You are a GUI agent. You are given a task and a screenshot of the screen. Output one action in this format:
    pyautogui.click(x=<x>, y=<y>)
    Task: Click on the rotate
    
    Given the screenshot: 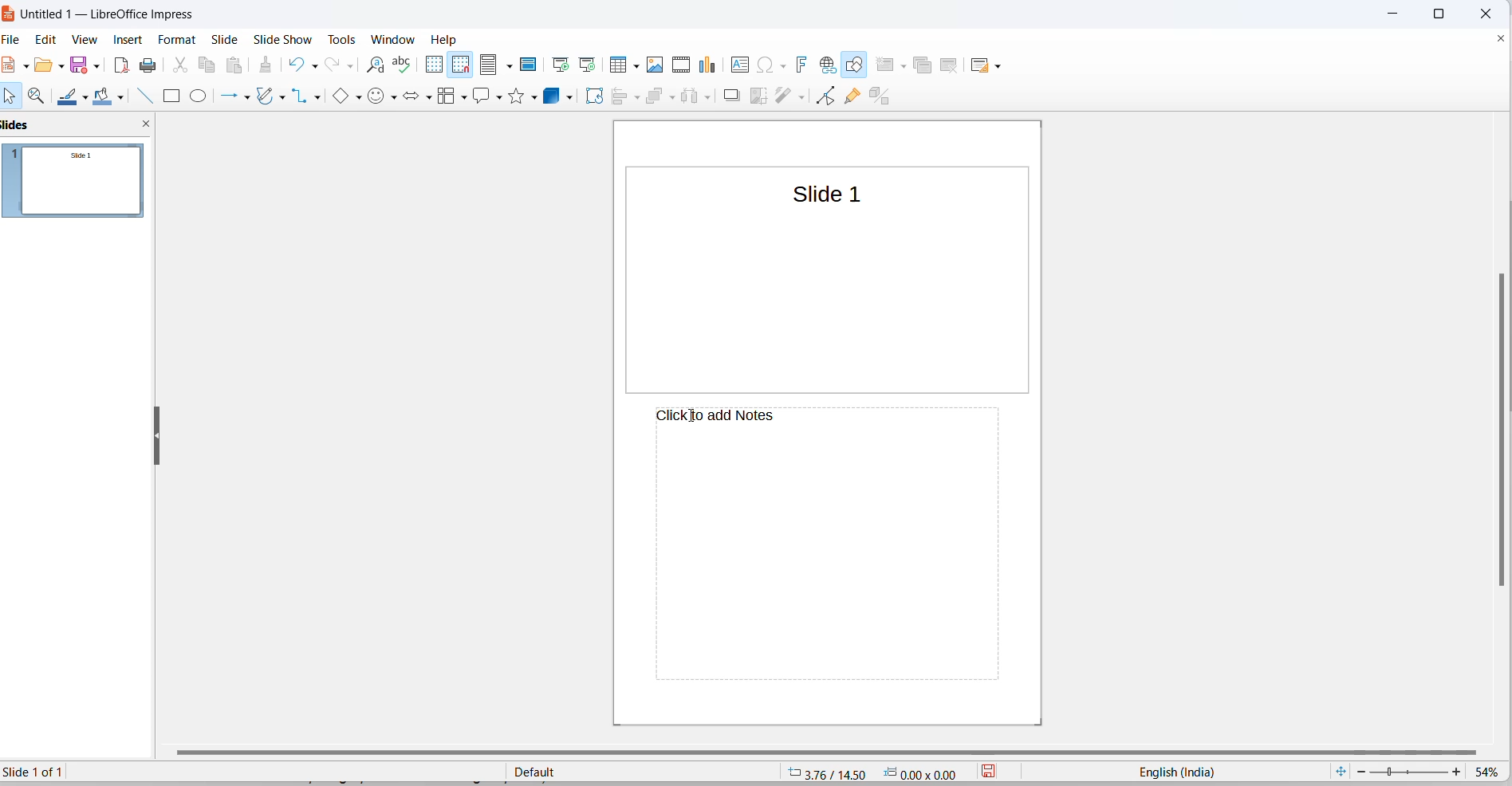 What is the action you would take?
    pyautogui.click(x=598, y=96)
    